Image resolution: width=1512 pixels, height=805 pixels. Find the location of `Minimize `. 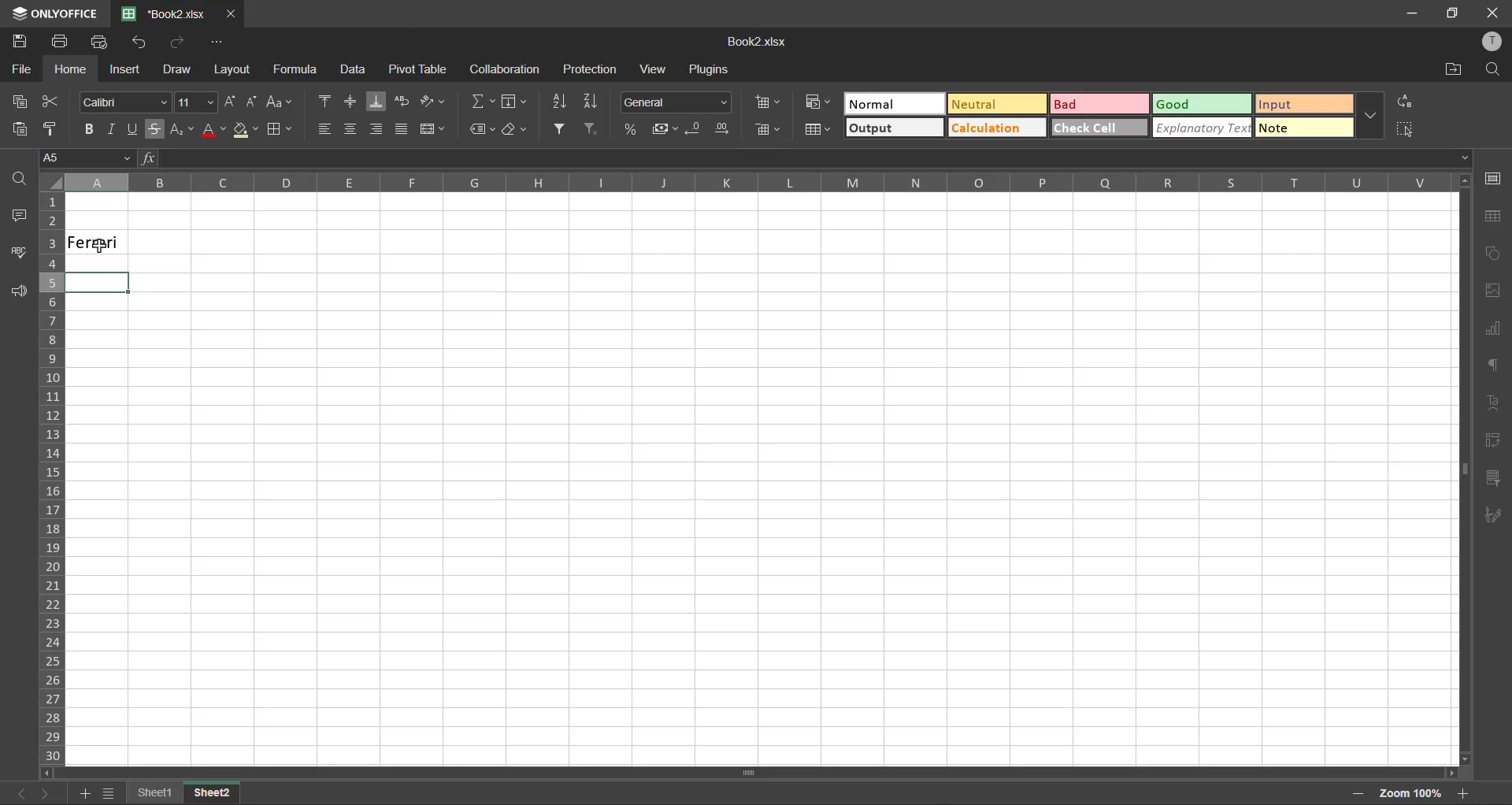

Minimize  is located at coordinates (1413, 13).